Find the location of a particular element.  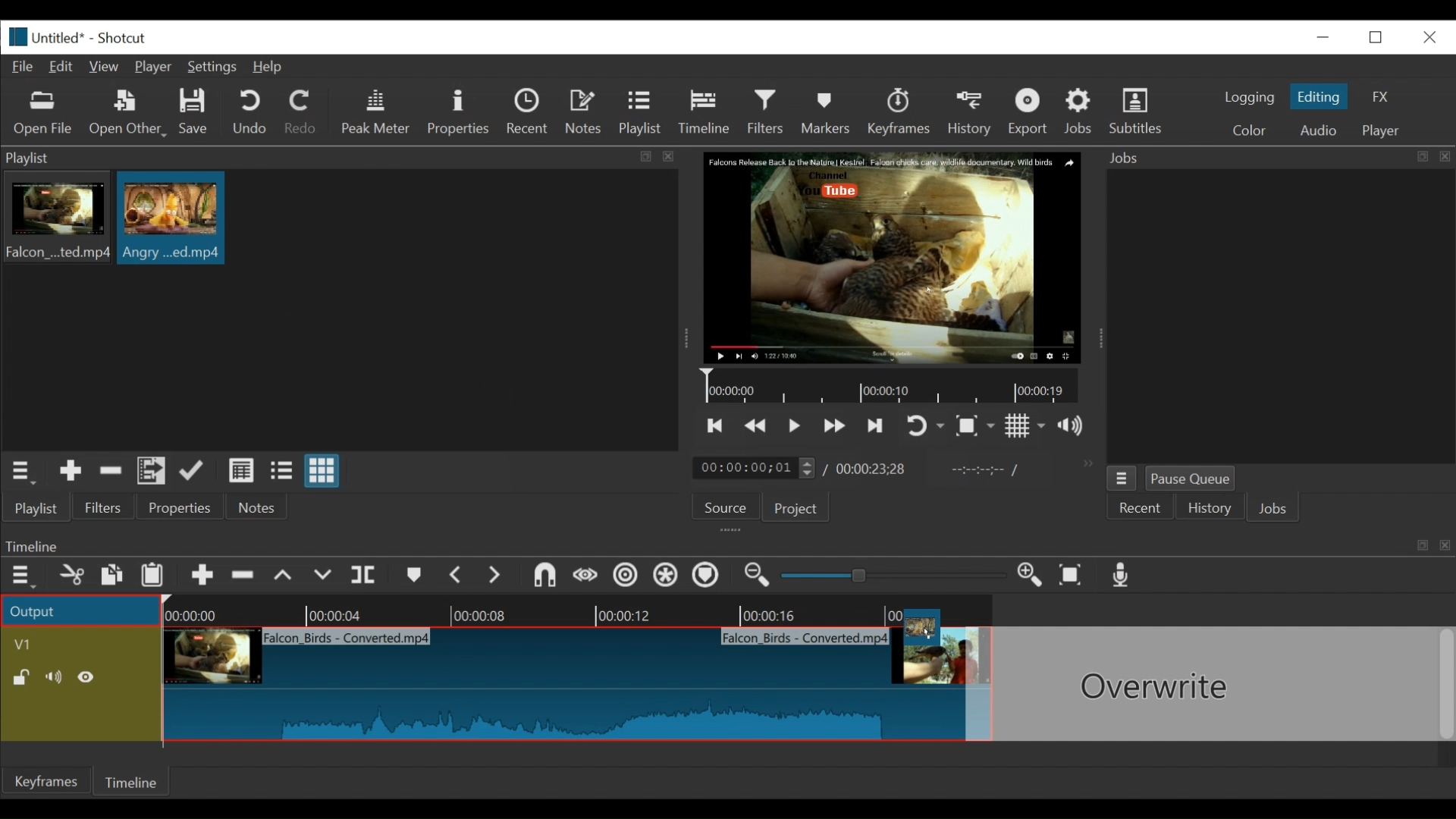

split at playhead is located at coordinates (366, 576).